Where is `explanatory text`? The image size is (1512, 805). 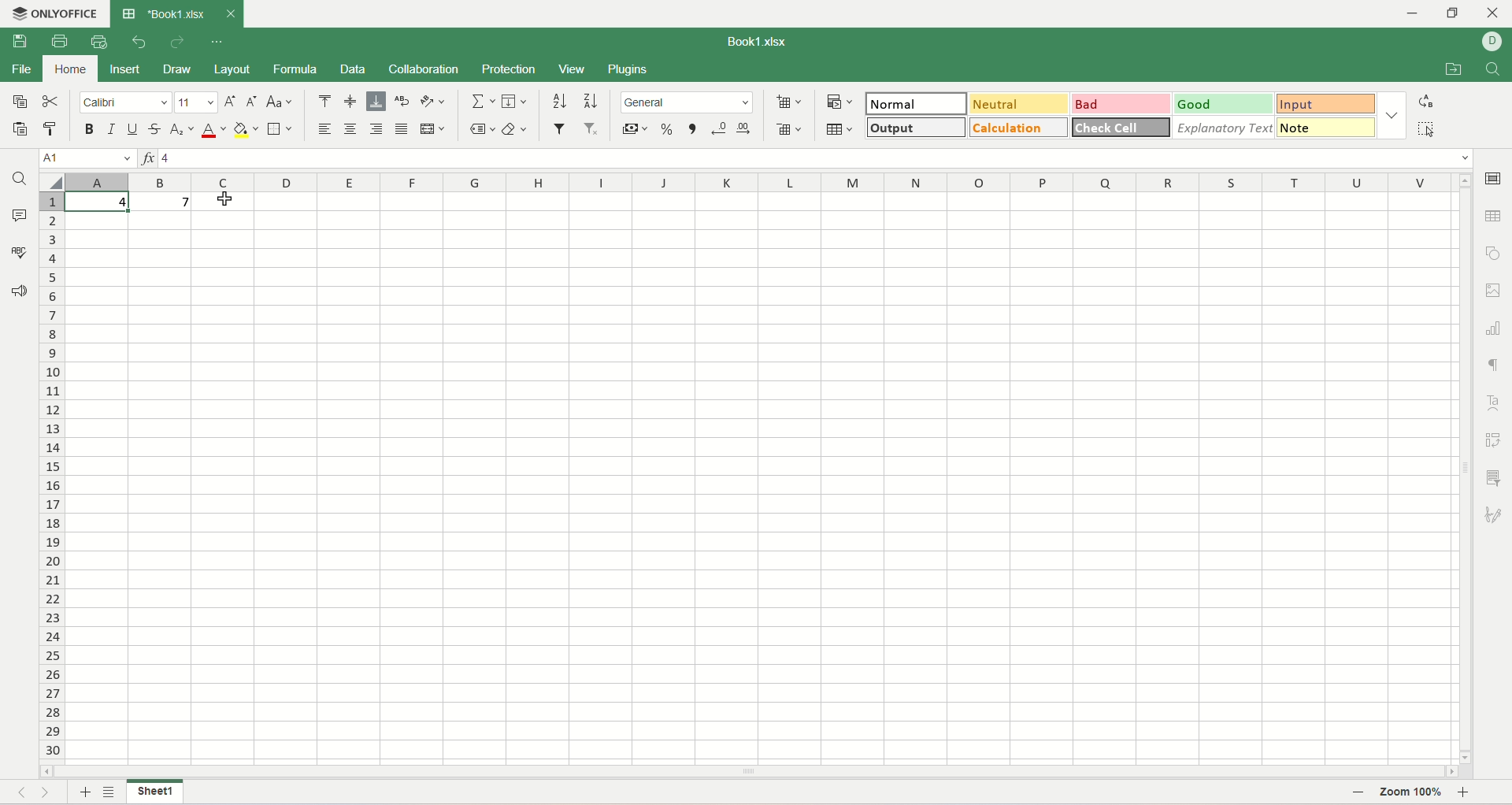 explanatory text is located at coordinates (1224, 127).